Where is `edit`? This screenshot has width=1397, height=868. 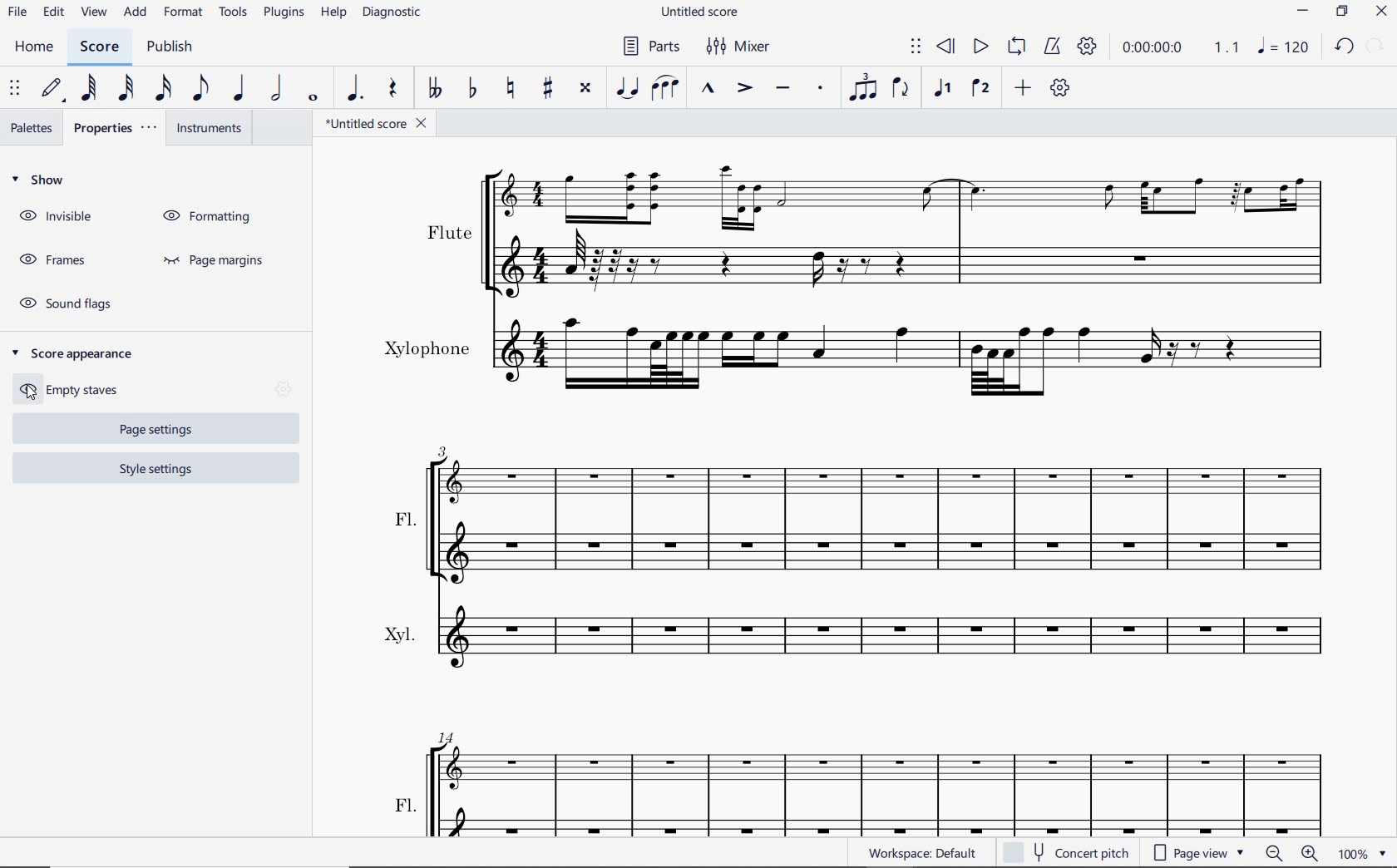 edit is located at coordinates (53, 13).